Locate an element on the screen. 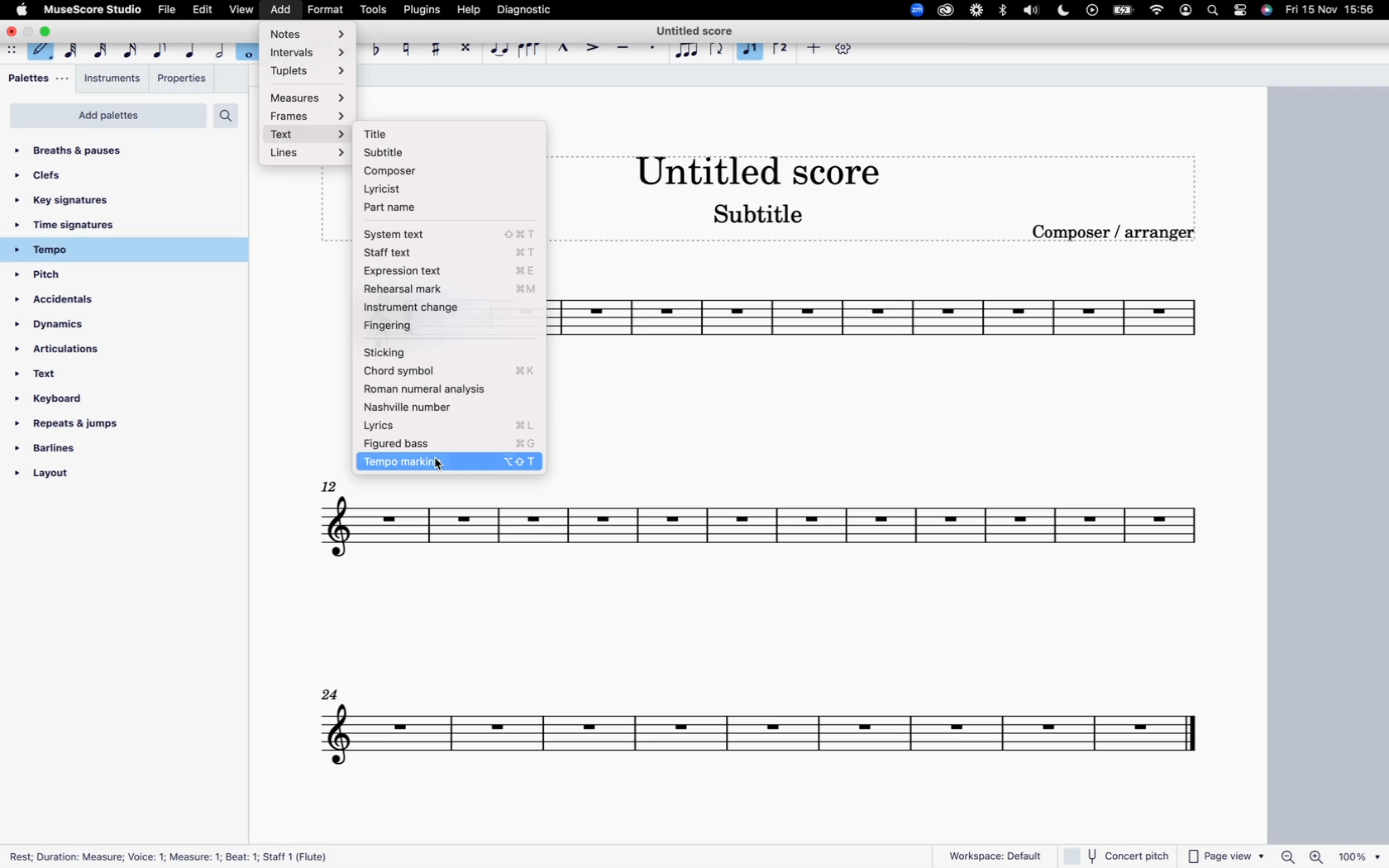 The image size is (1389, 868). staccato is located at coordinates (653, 50).